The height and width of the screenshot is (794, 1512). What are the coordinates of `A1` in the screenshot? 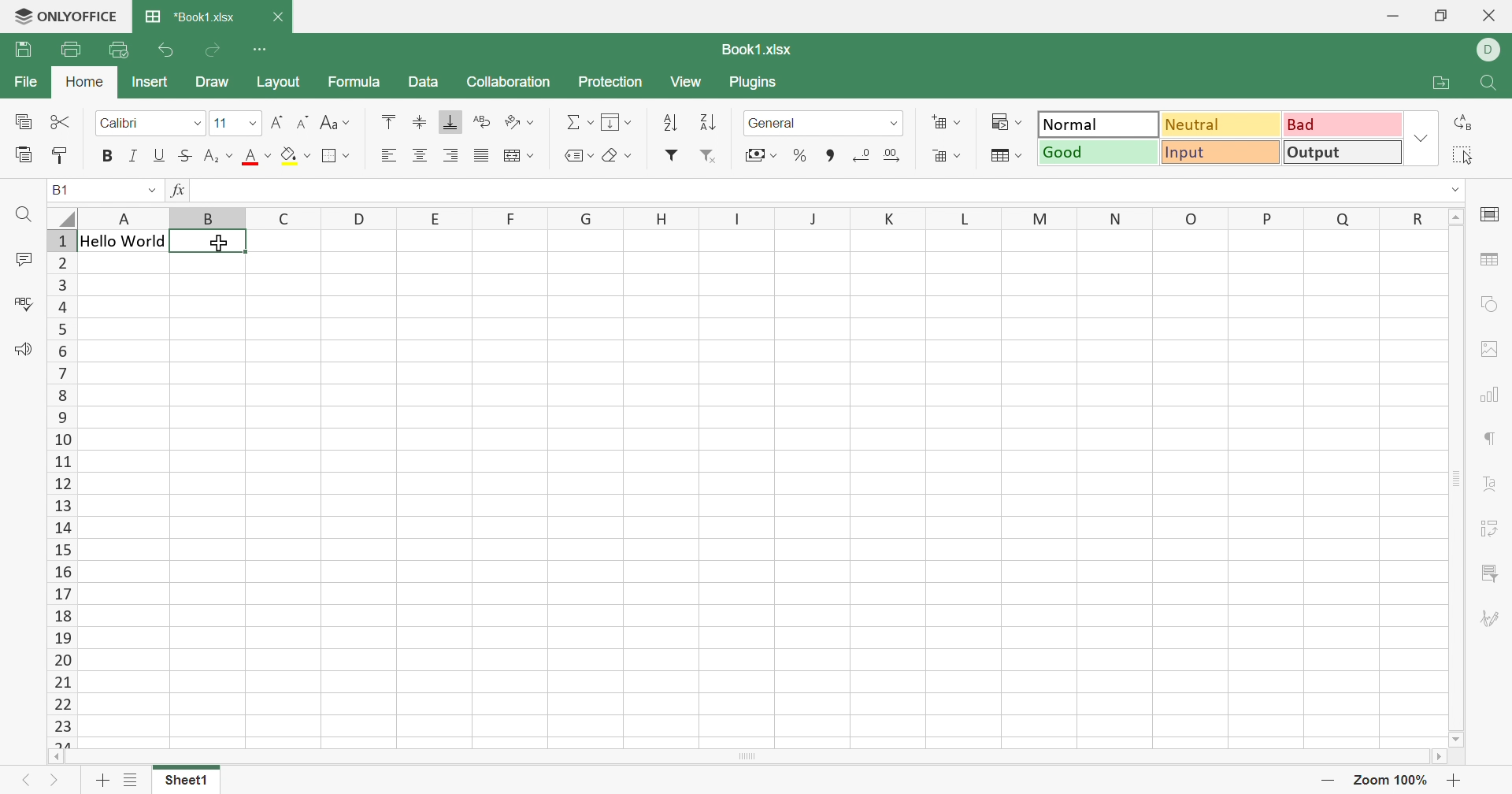 It's located at (67, 189).